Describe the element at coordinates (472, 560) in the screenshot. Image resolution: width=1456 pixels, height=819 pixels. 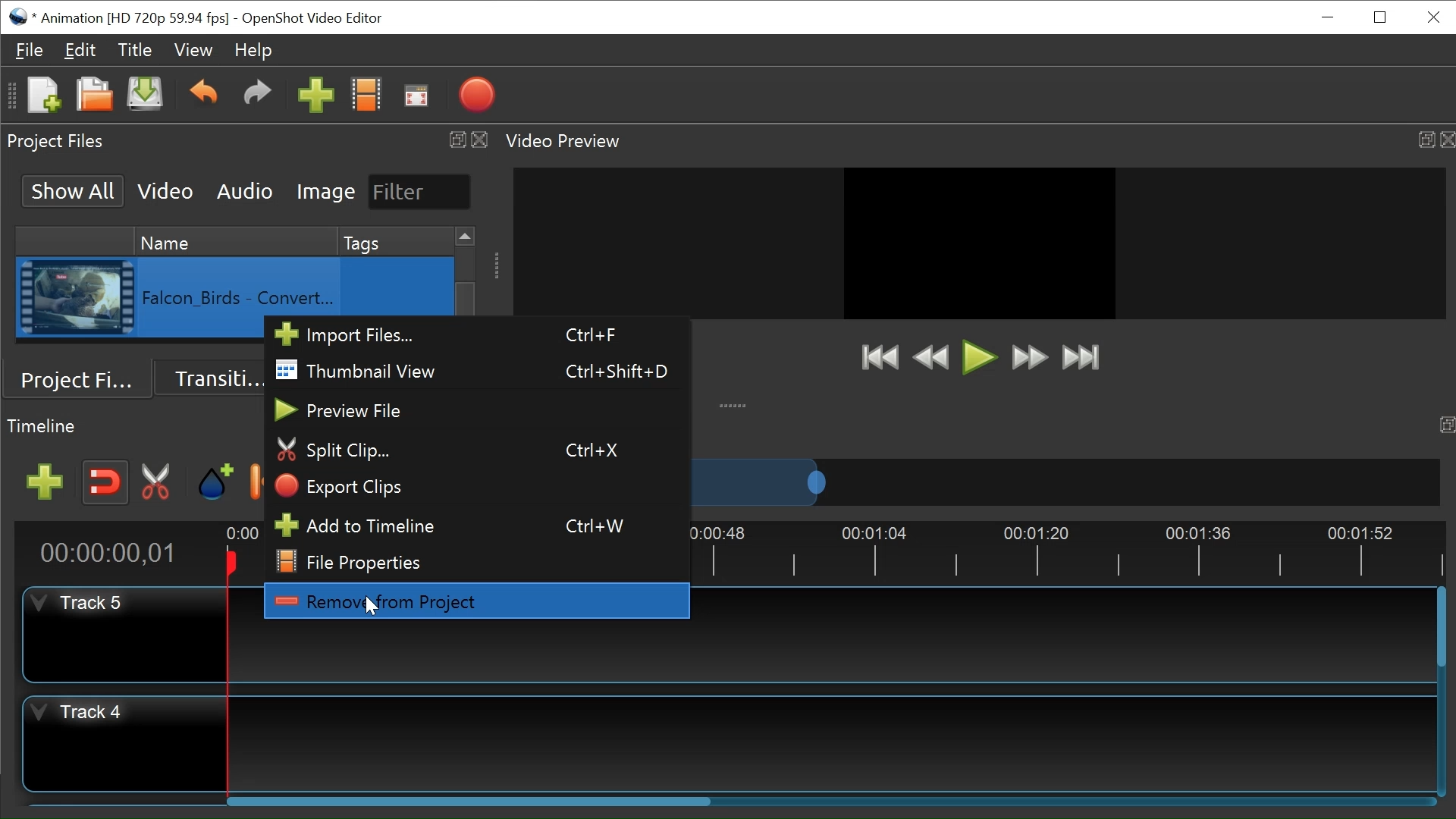
I see `Files Properties` at that location.